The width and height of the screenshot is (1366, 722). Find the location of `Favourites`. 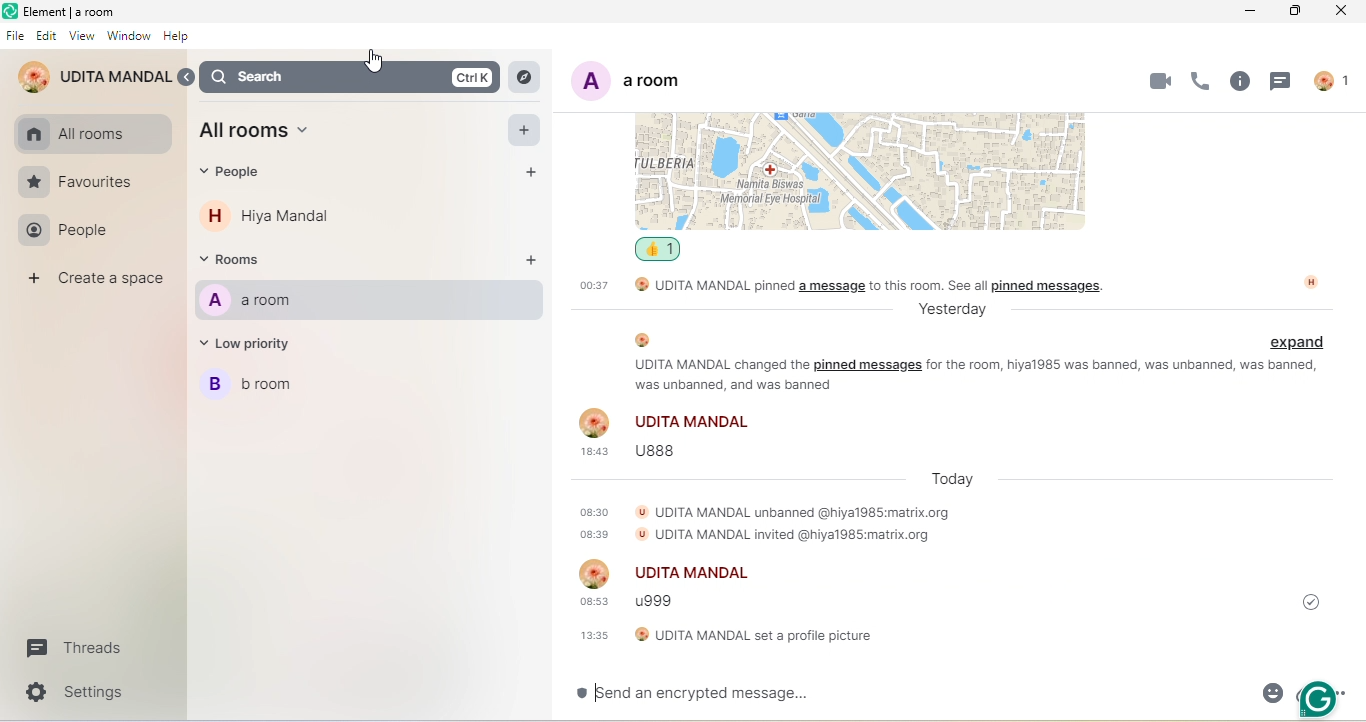

Favourites is located at coordinates (75, 180).